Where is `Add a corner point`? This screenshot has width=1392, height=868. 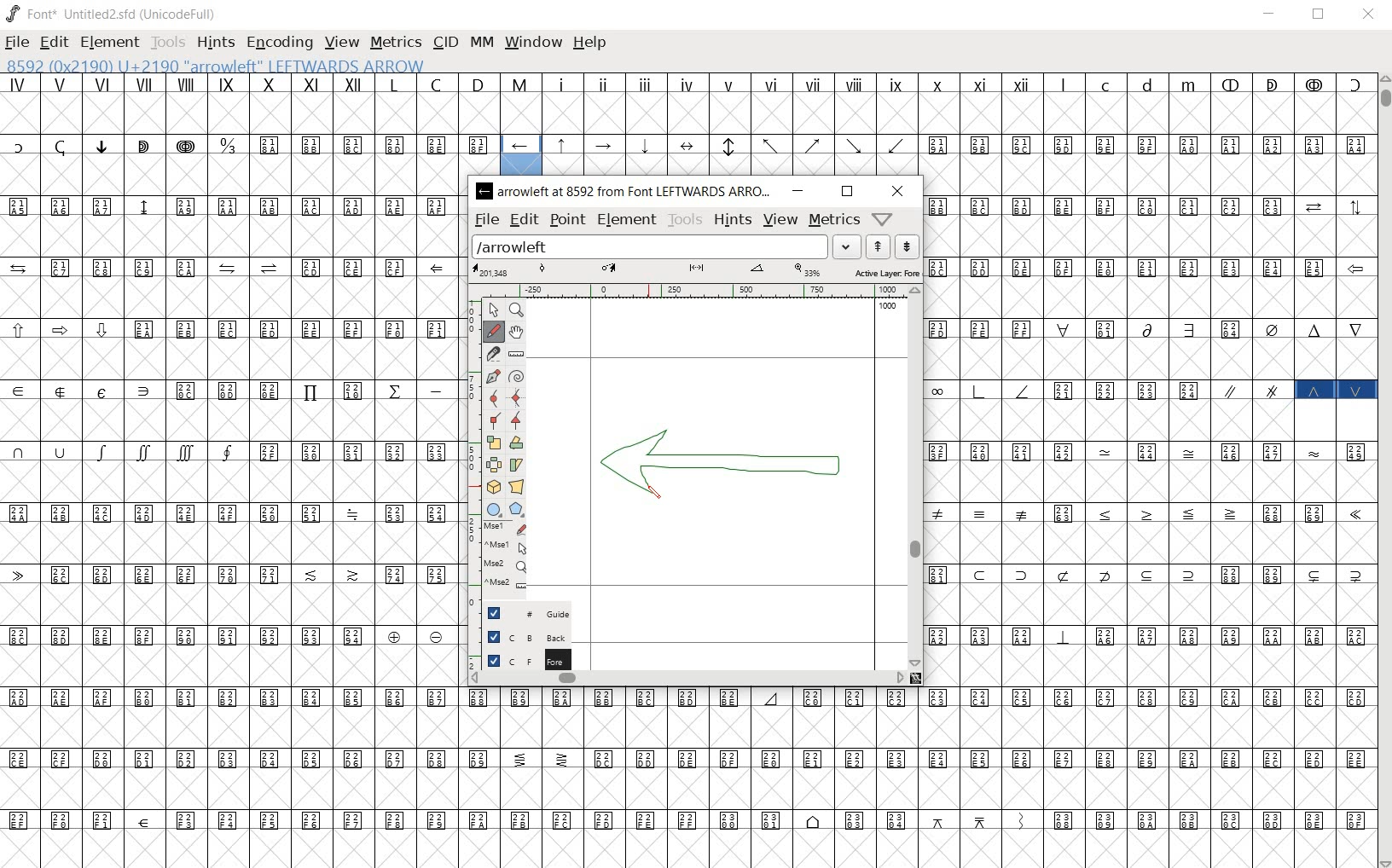
Add a corner point is located at coordinates (492, 421).